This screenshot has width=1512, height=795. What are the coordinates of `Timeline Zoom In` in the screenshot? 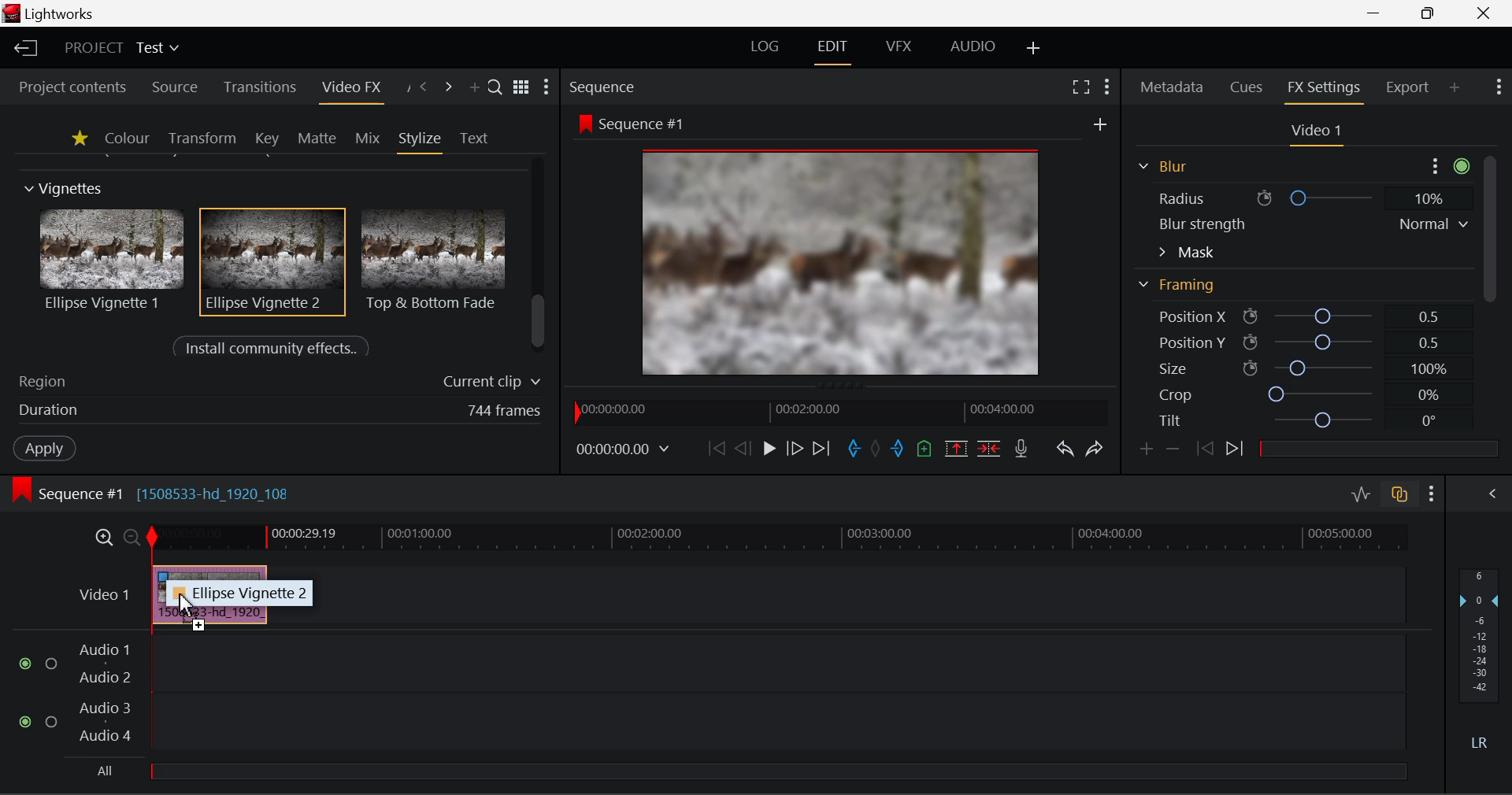 It's located at (103, 538).